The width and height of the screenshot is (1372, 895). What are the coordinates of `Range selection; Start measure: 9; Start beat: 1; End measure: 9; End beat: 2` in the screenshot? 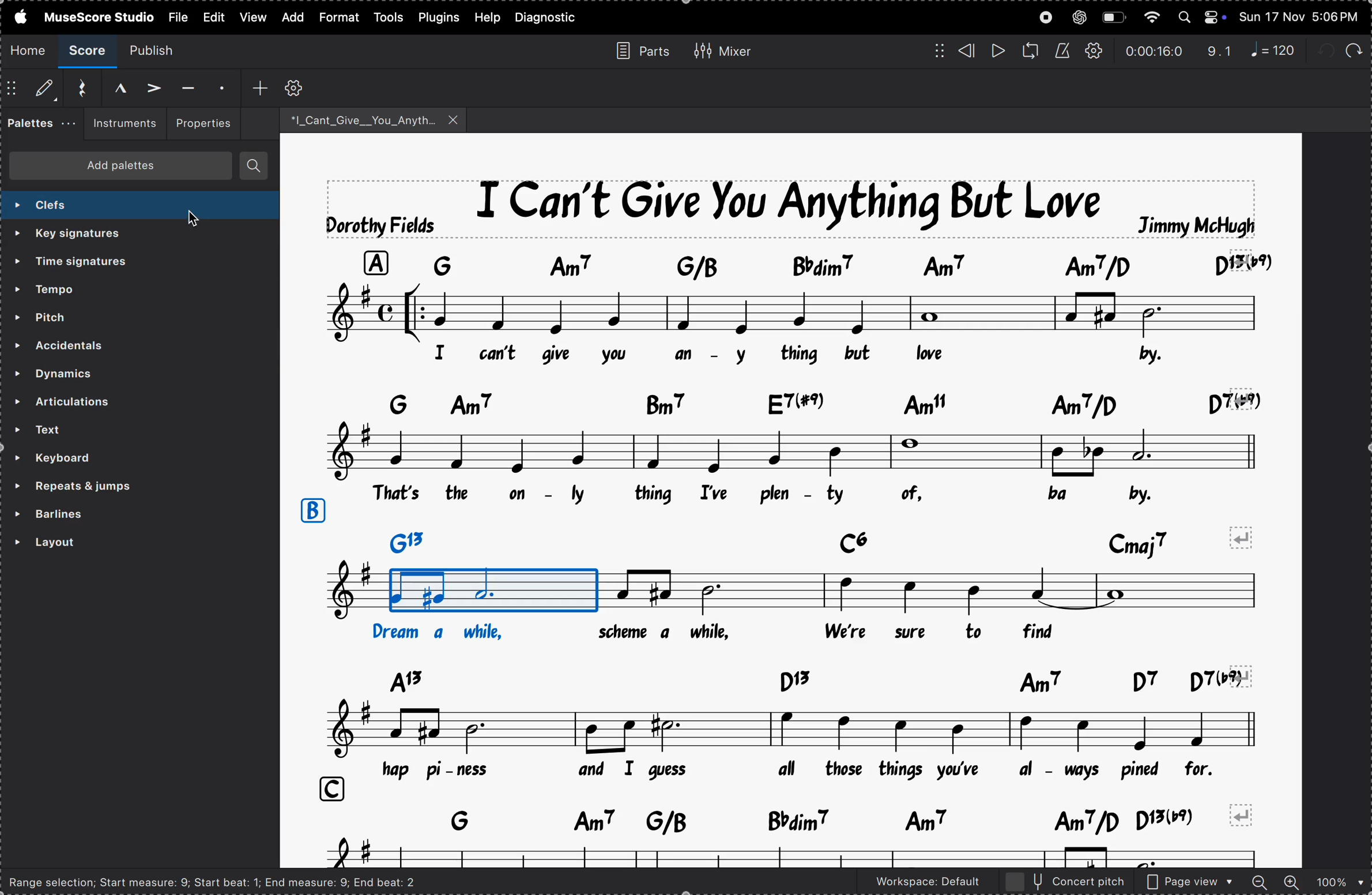 It's located at (223, 881).